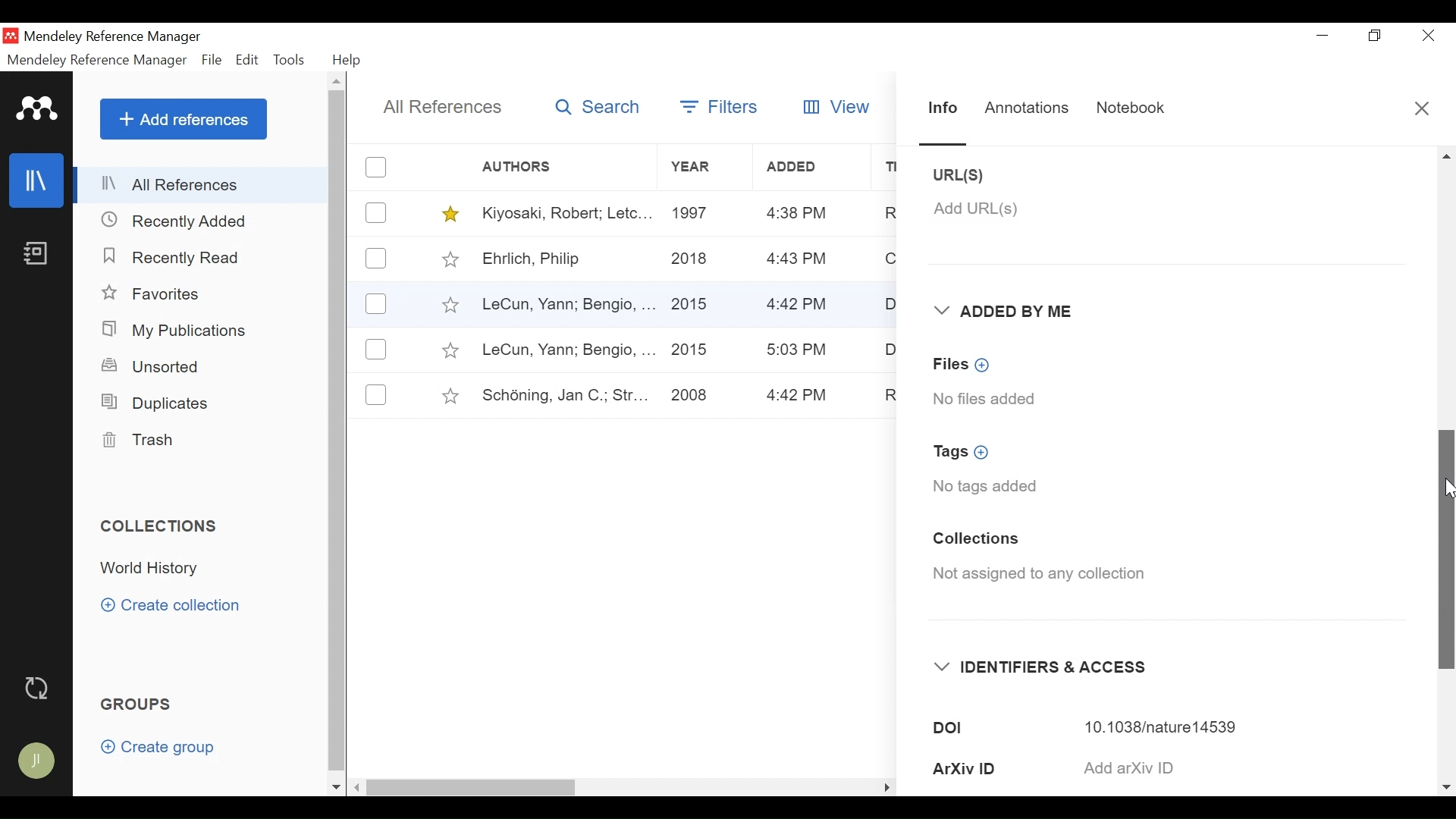 The height and width of the screenshot is (819, 1456). I want to click on Create group, so click(165, 750).